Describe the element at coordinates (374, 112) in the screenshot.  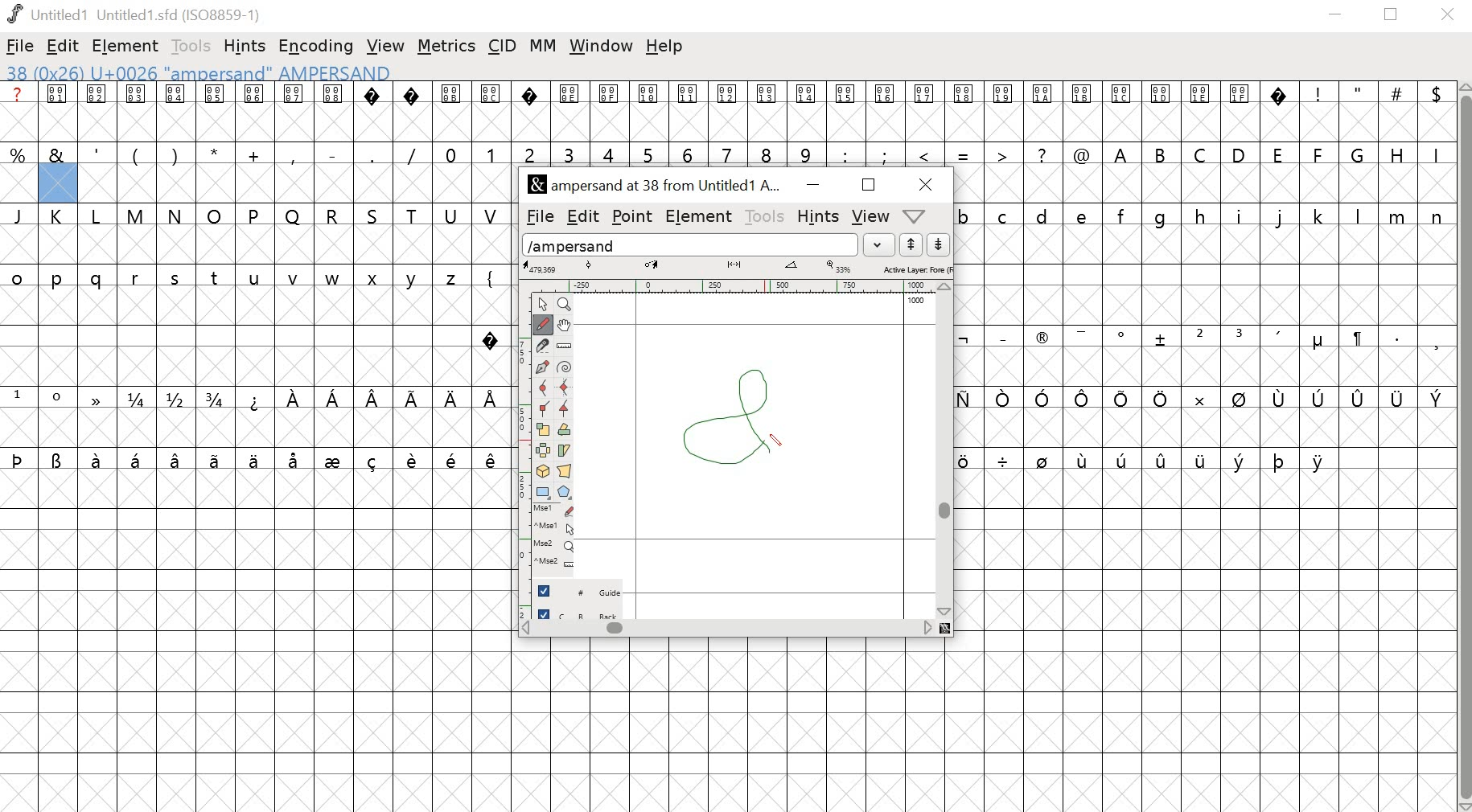
I see `?` at that location.